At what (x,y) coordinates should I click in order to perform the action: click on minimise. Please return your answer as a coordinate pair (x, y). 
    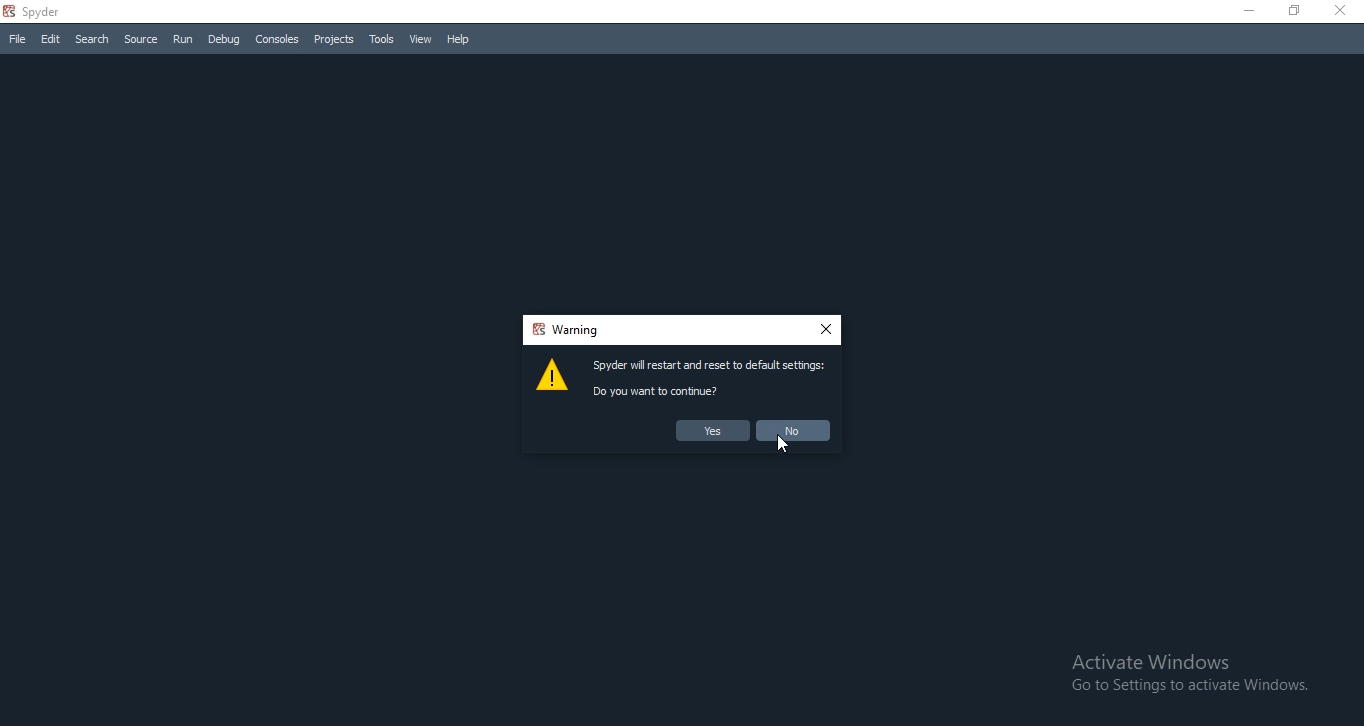
    Looking at the image, I should click on (1247, 12).